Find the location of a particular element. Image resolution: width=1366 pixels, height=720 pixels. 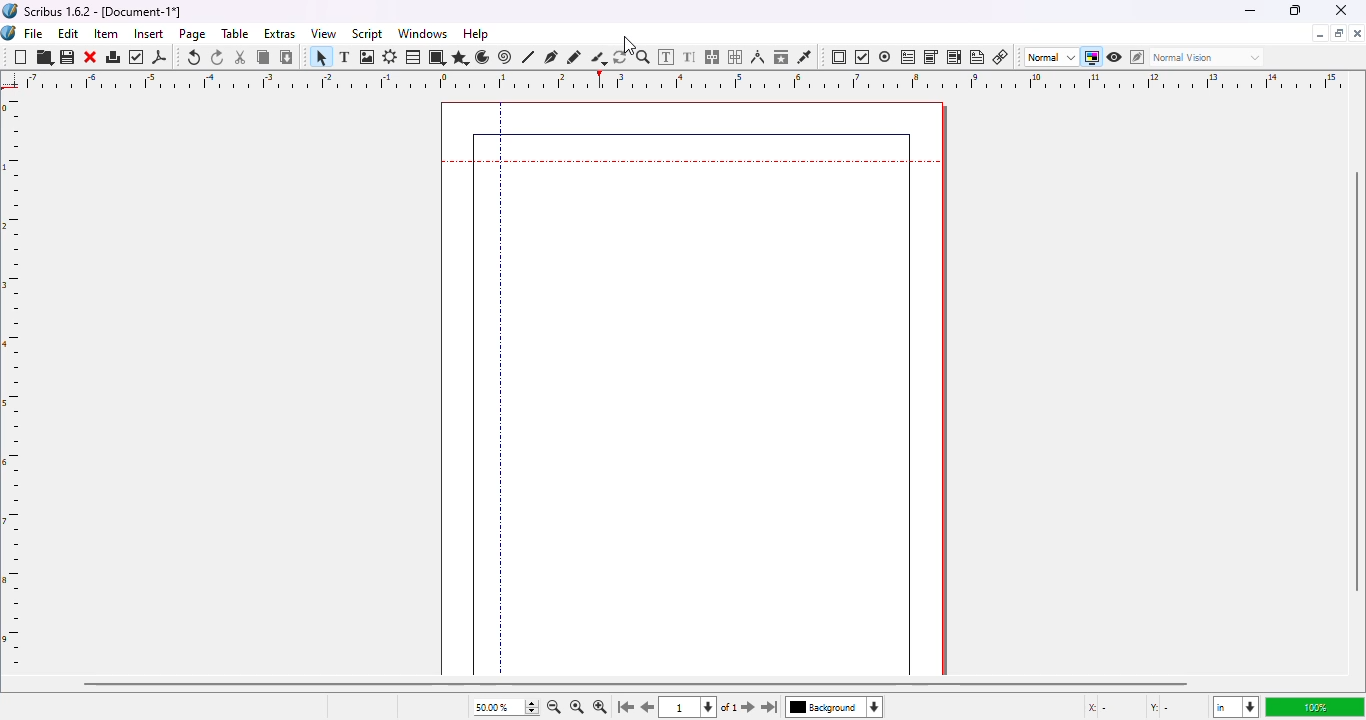

zoom in or out is located at coordinates (643, 57).